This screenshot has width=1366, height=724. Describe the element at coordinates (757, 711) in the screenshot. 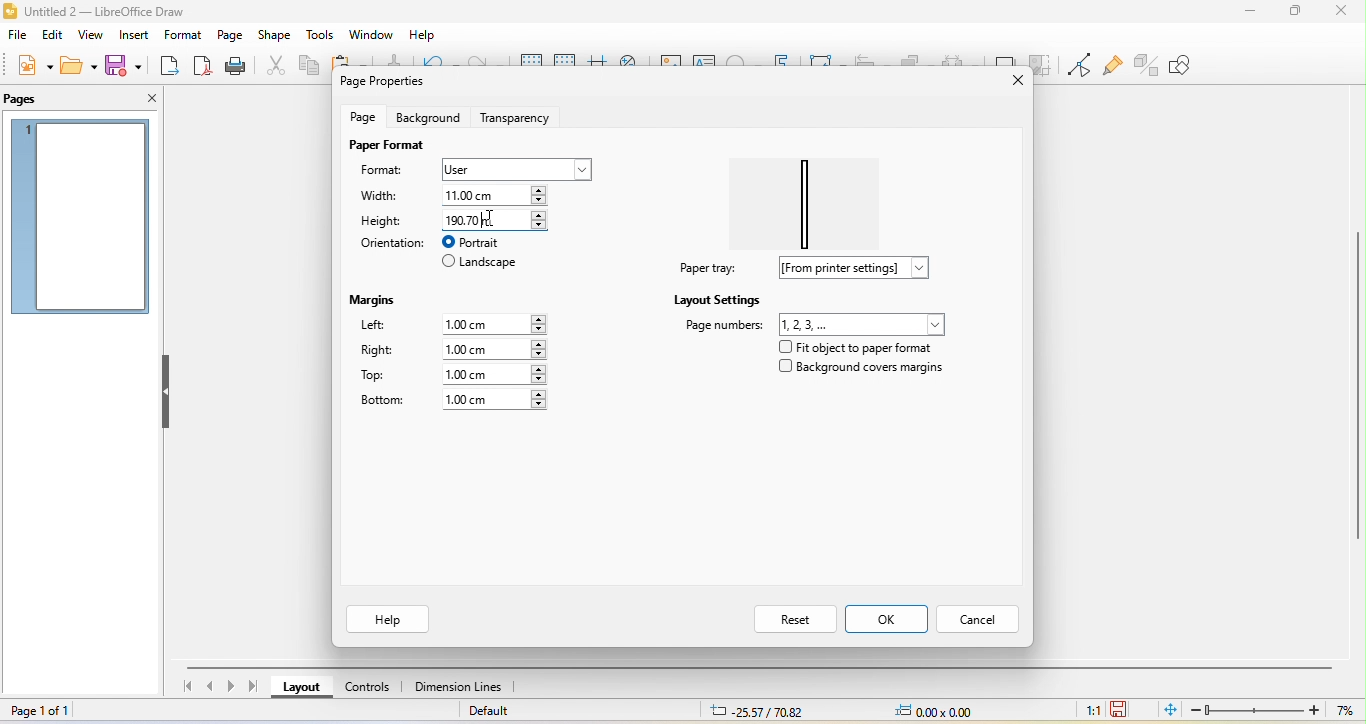

I see `25.57/70.82` at that location.